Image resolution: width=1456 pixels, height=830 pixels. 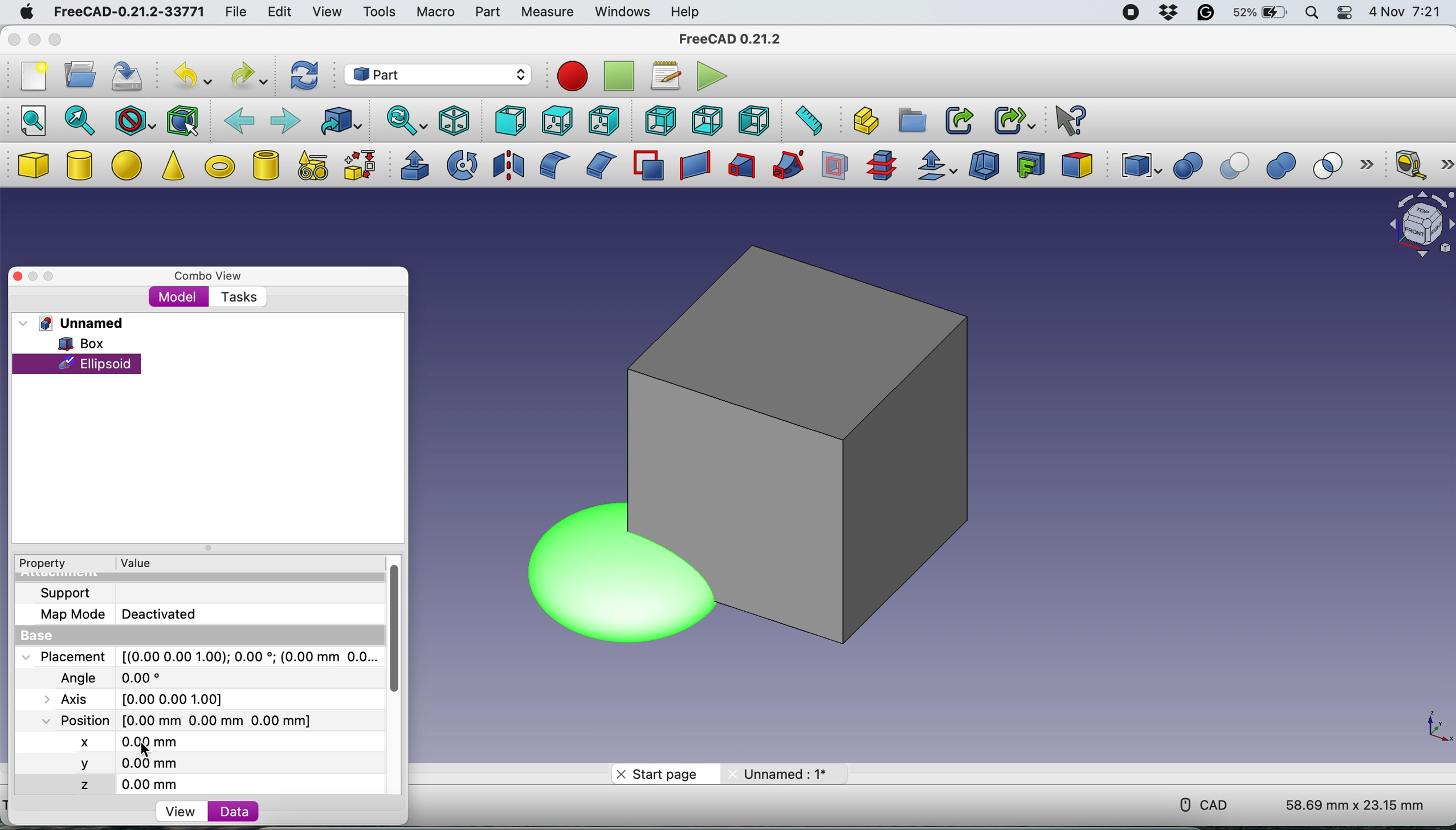 What do you see at coordinates (509, 164) in the screenshot?
I see `mirroring` at bounding box center [509, 164].